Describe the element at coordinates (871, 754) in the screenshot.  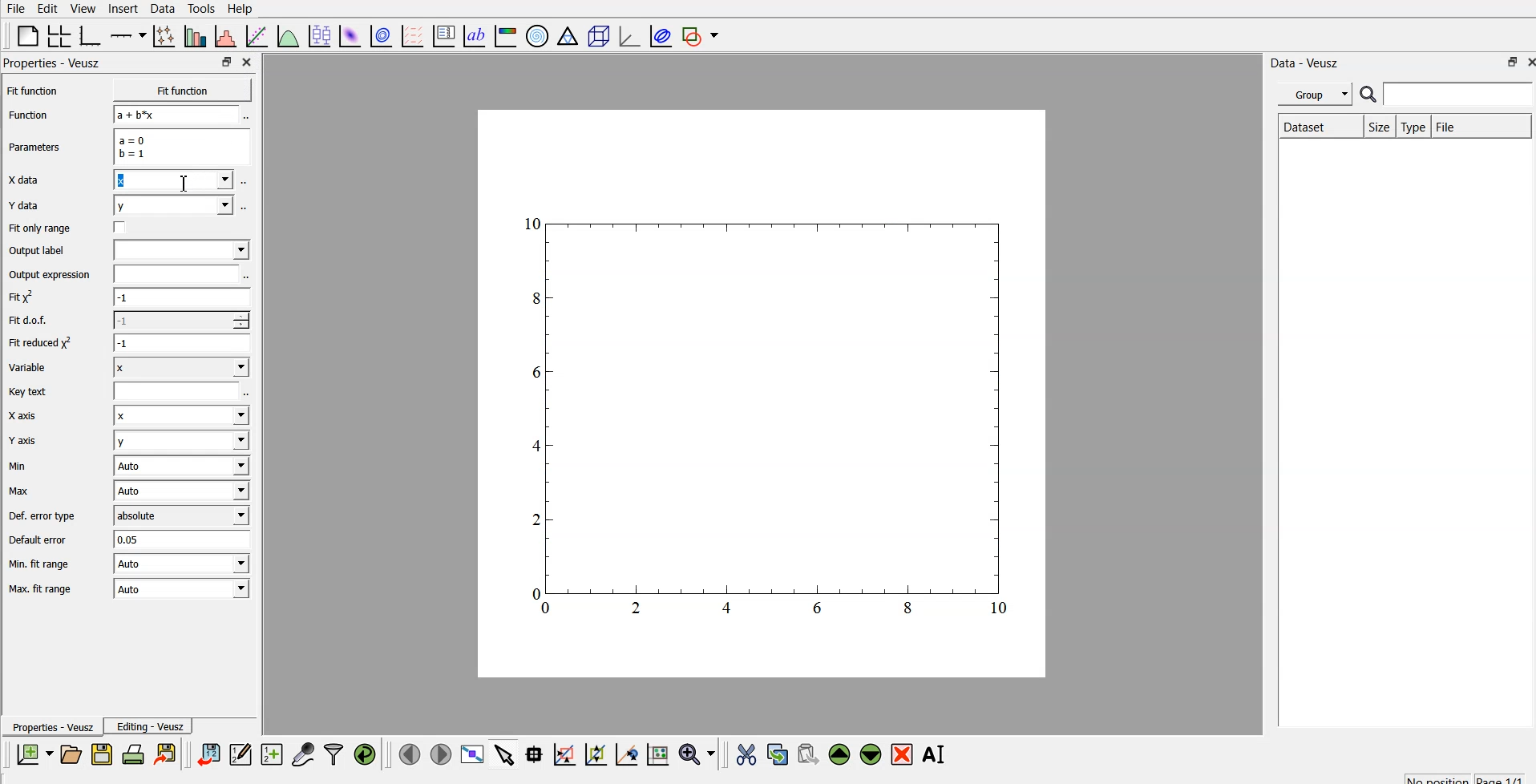
I see `move down the selected widget` at that location.